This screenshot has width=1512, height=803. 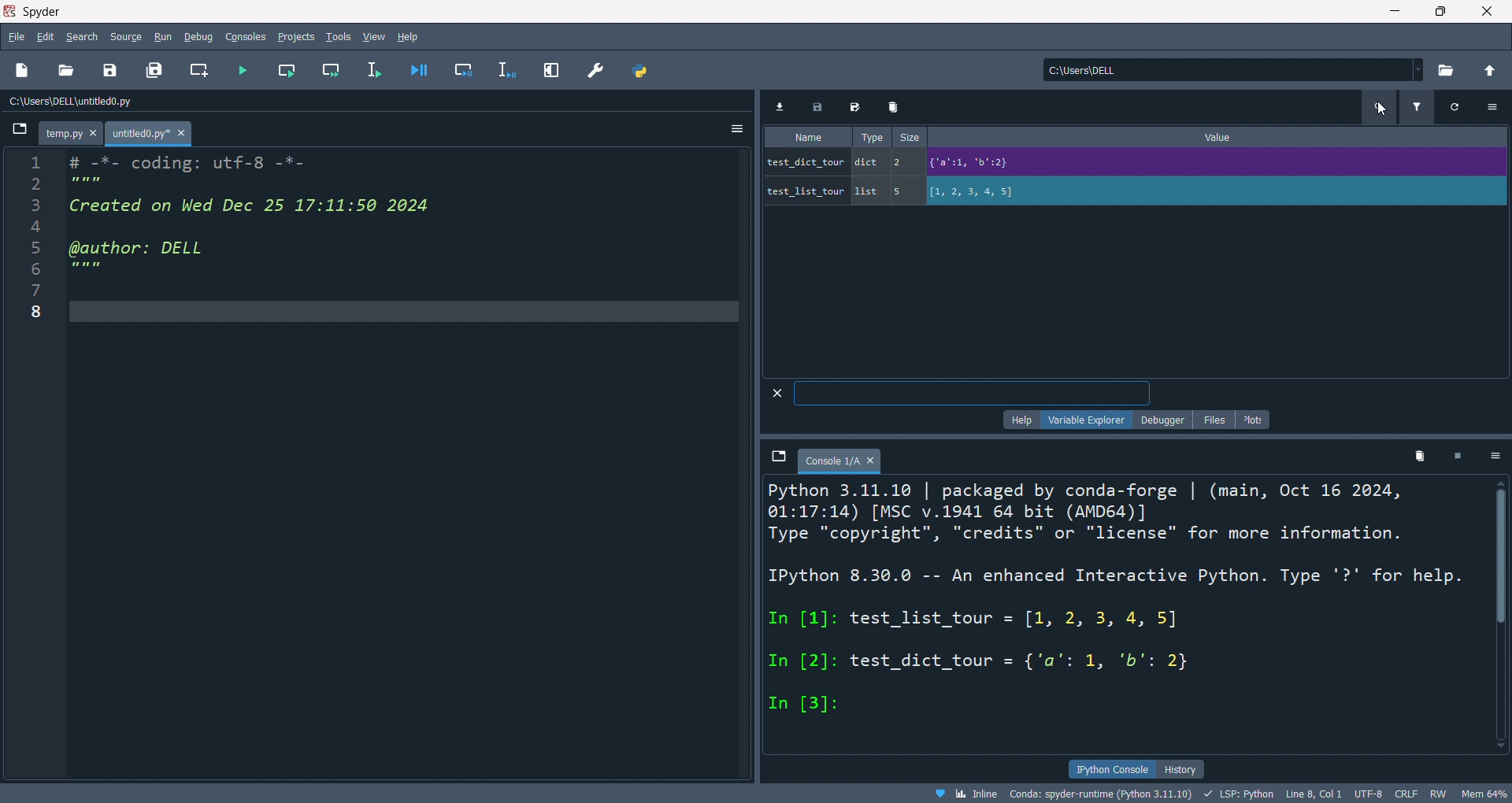 I want to click on close, so click(x=1485, y=13).